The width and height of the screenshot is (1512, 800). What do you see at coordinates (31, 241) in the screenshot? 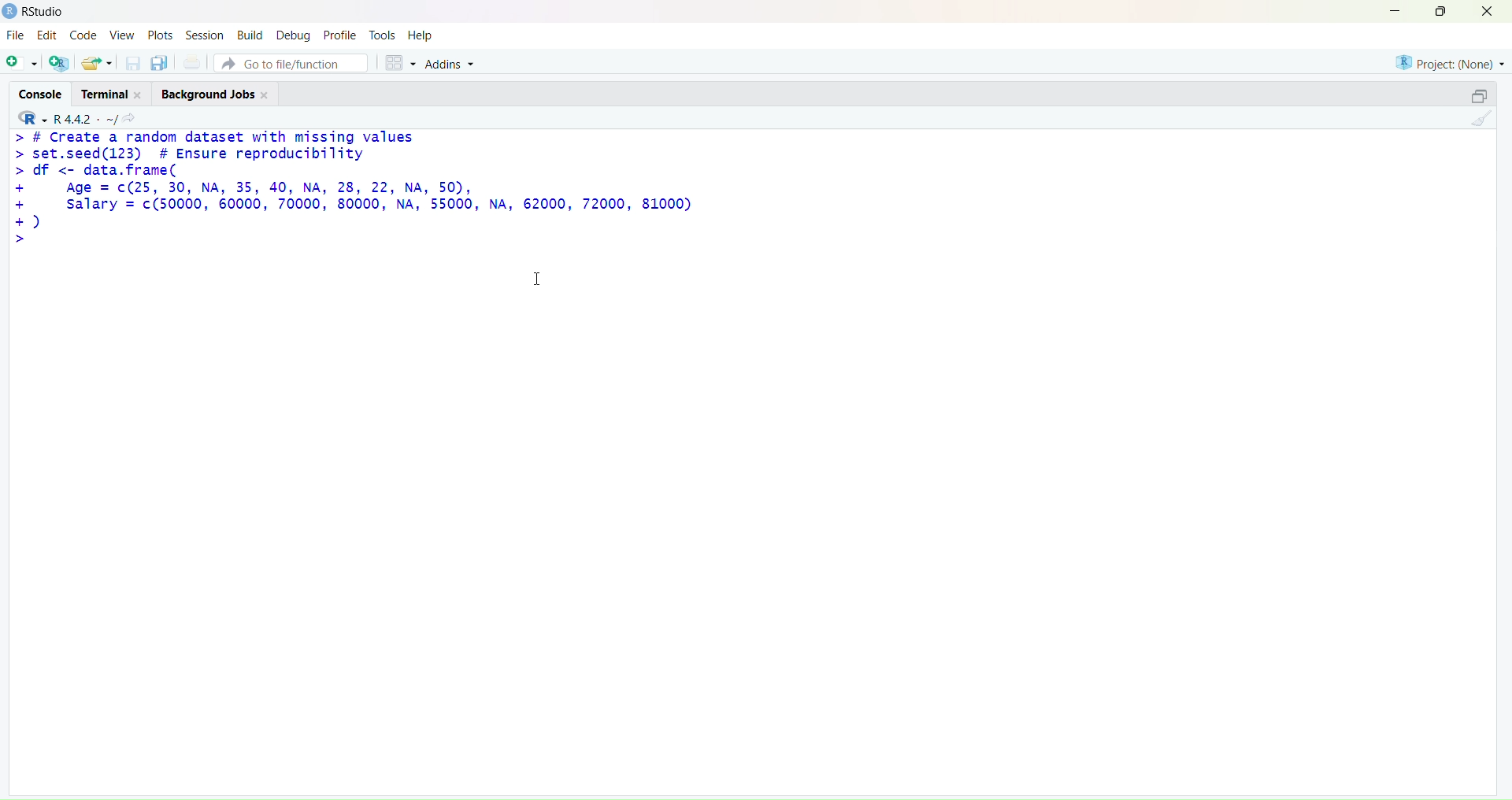
I see `text cursor` at bounding box center [31, 241].